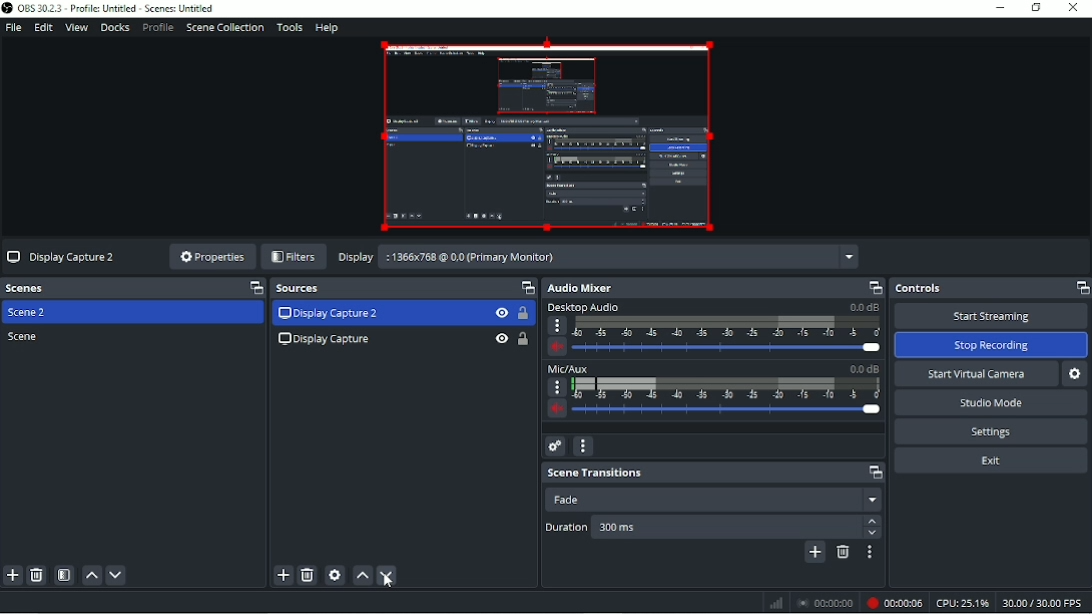 This screenshot has height=614, width=1092. What do you see at coordinates (281, 574) in the screenshot?
I see `Add source` at bounding box center [281, 574].